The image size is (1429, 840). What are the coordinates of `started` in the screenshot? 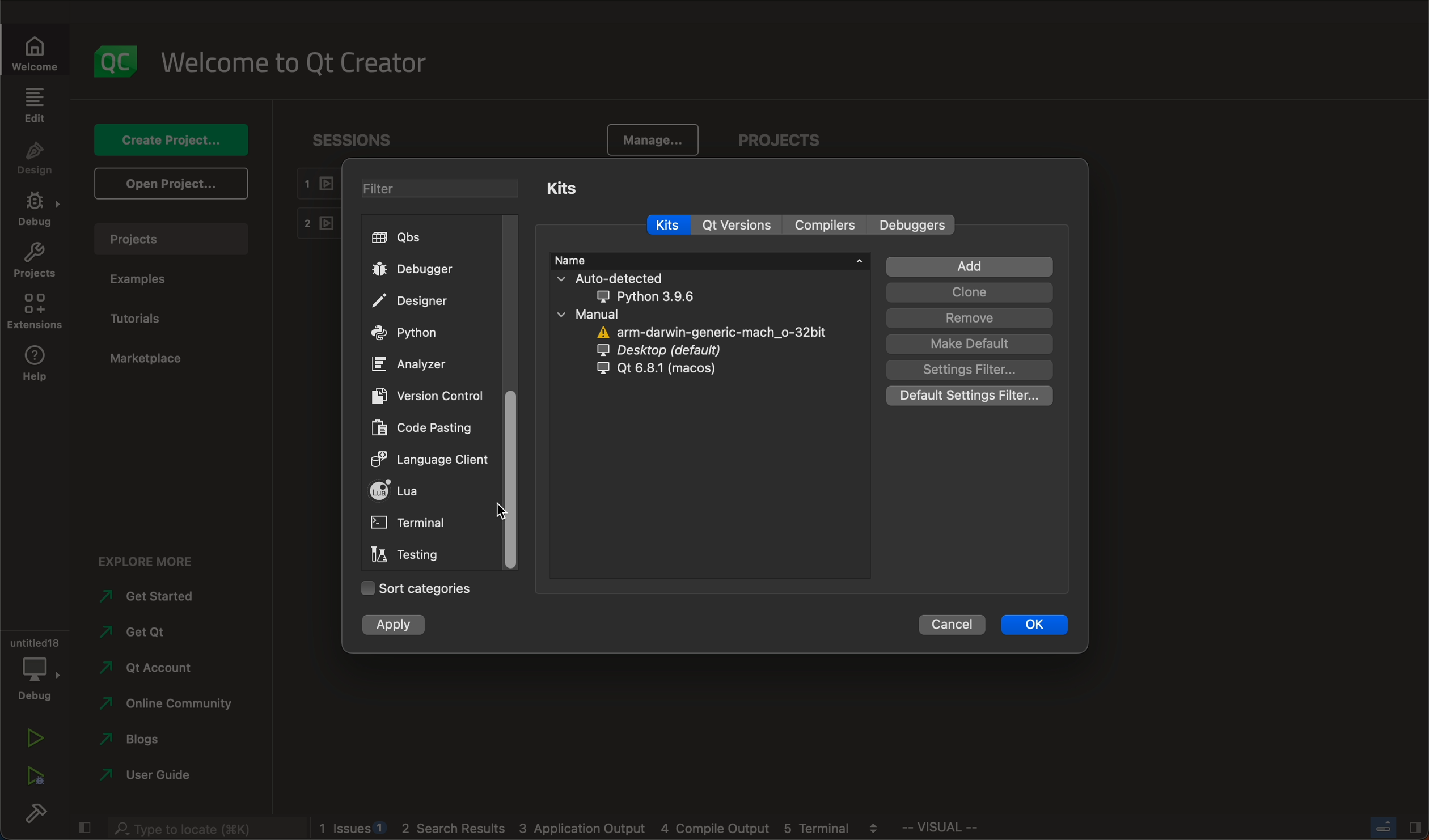 It's located at (156, 597).